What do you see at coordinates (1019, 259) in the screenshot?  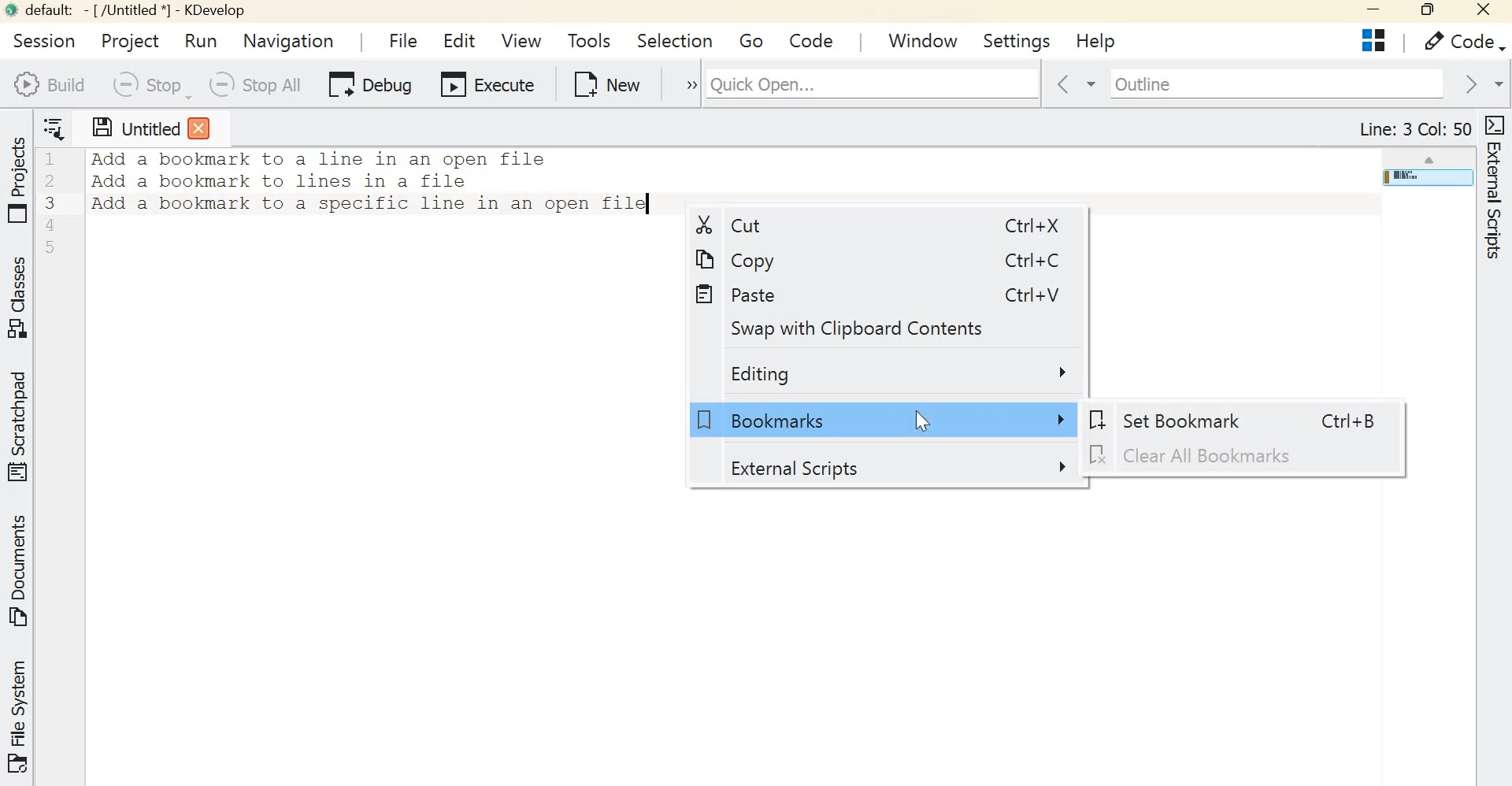 I see `Ctrl+C` at bounding box center [1019, 259].